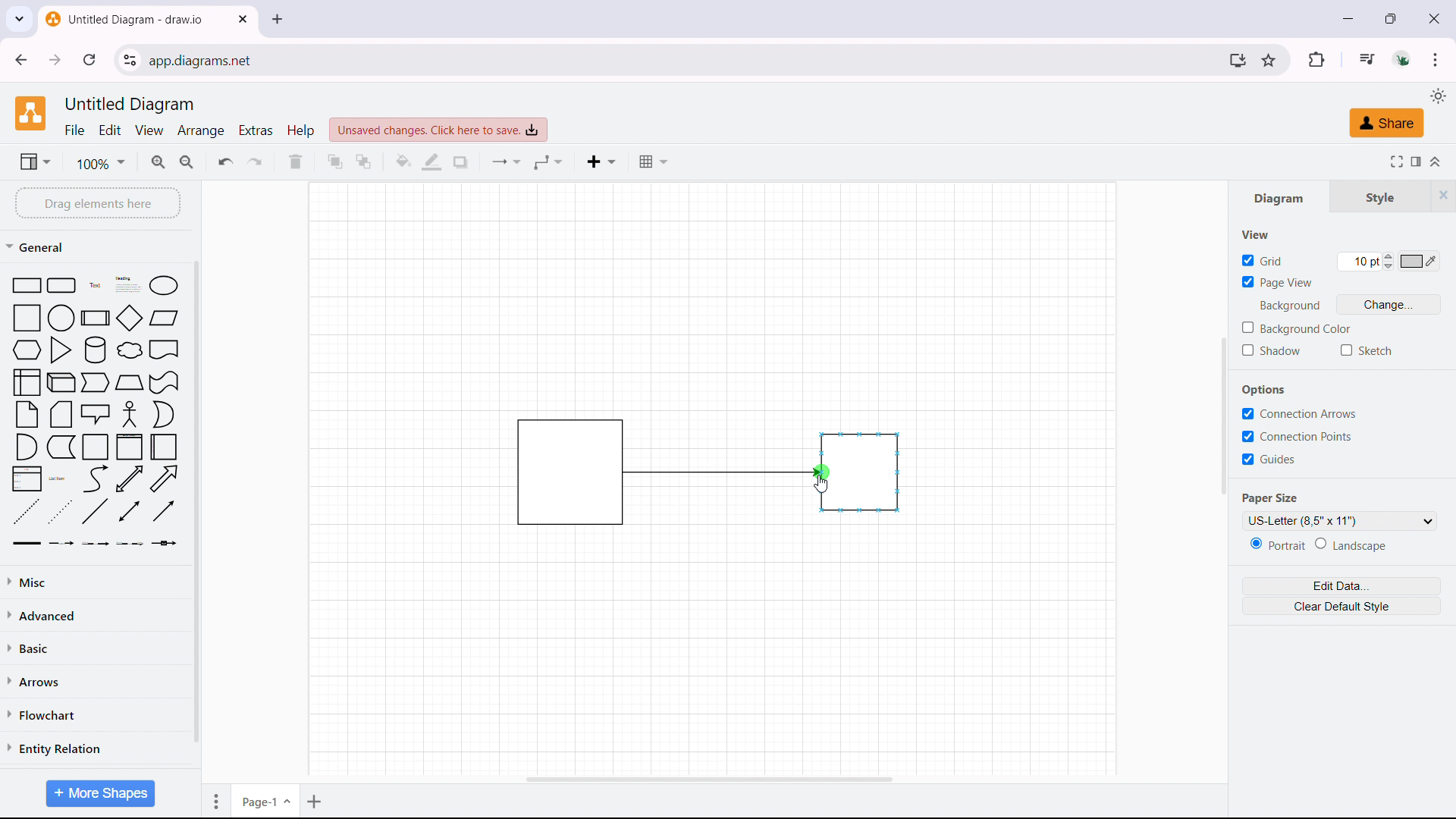 This screenshot has width=1456, height=819. What do you see at coordinates (278, 19) in the screenshot?
I see `close tab` at bounding box center [278, 19].